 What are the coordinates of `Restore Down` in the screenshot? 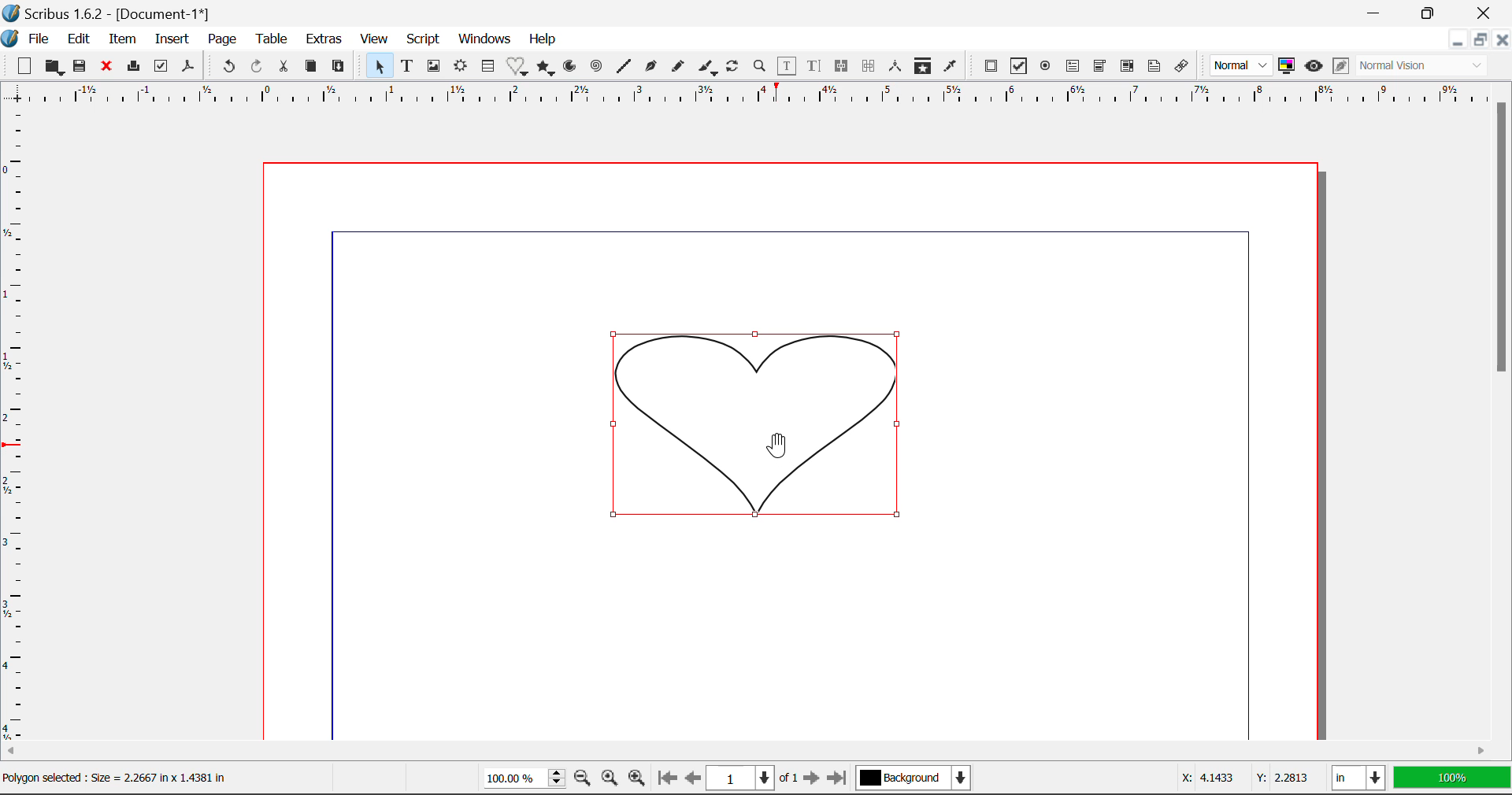 It's located at (1378, 12).